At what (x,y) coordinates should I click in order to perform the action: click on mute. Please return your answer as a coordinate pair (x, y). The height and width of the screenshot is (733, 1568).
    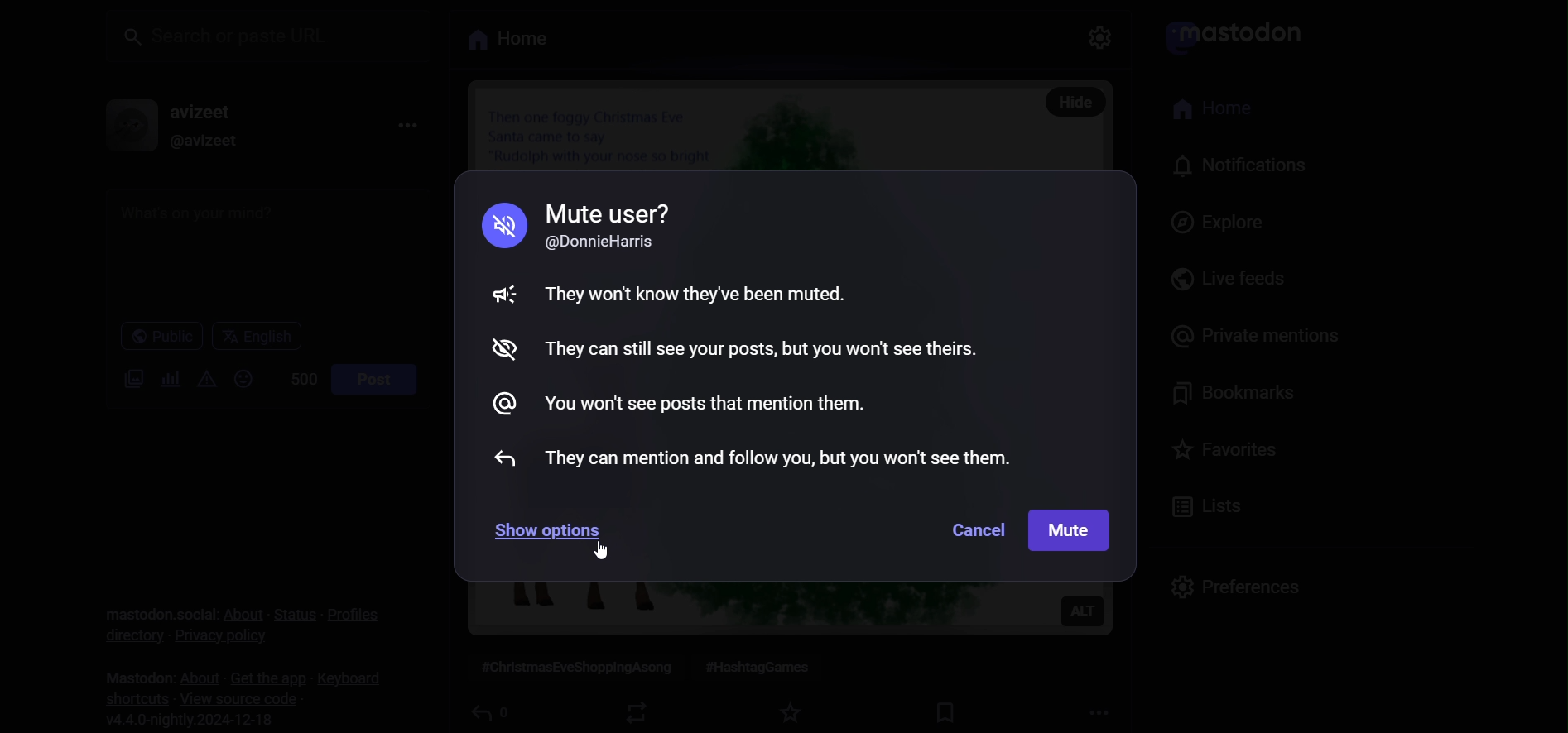
    Looking at the image, I should click on (1072, 531).